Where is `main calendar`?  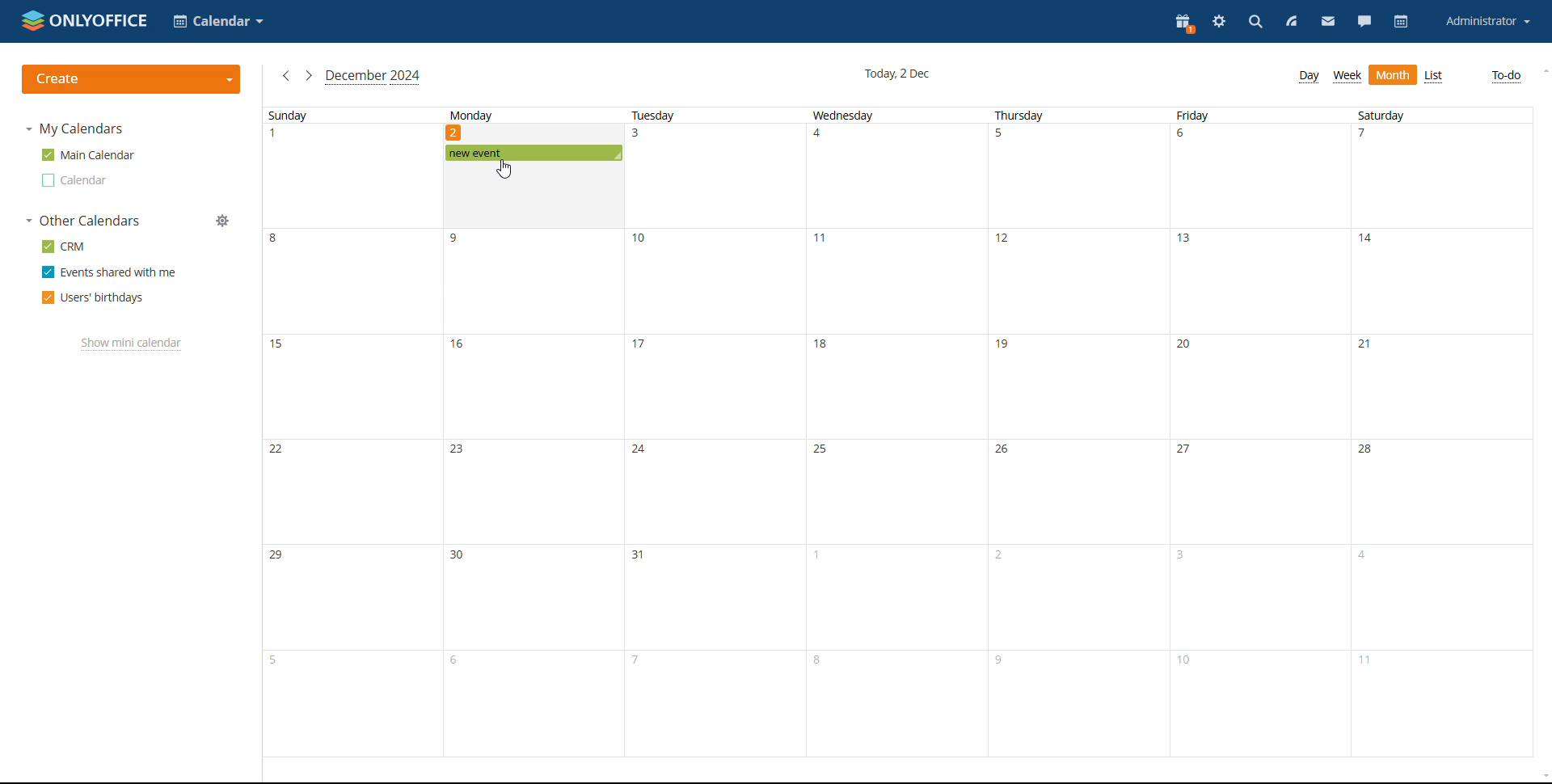 main calendar is located at coordinates (88, 155).